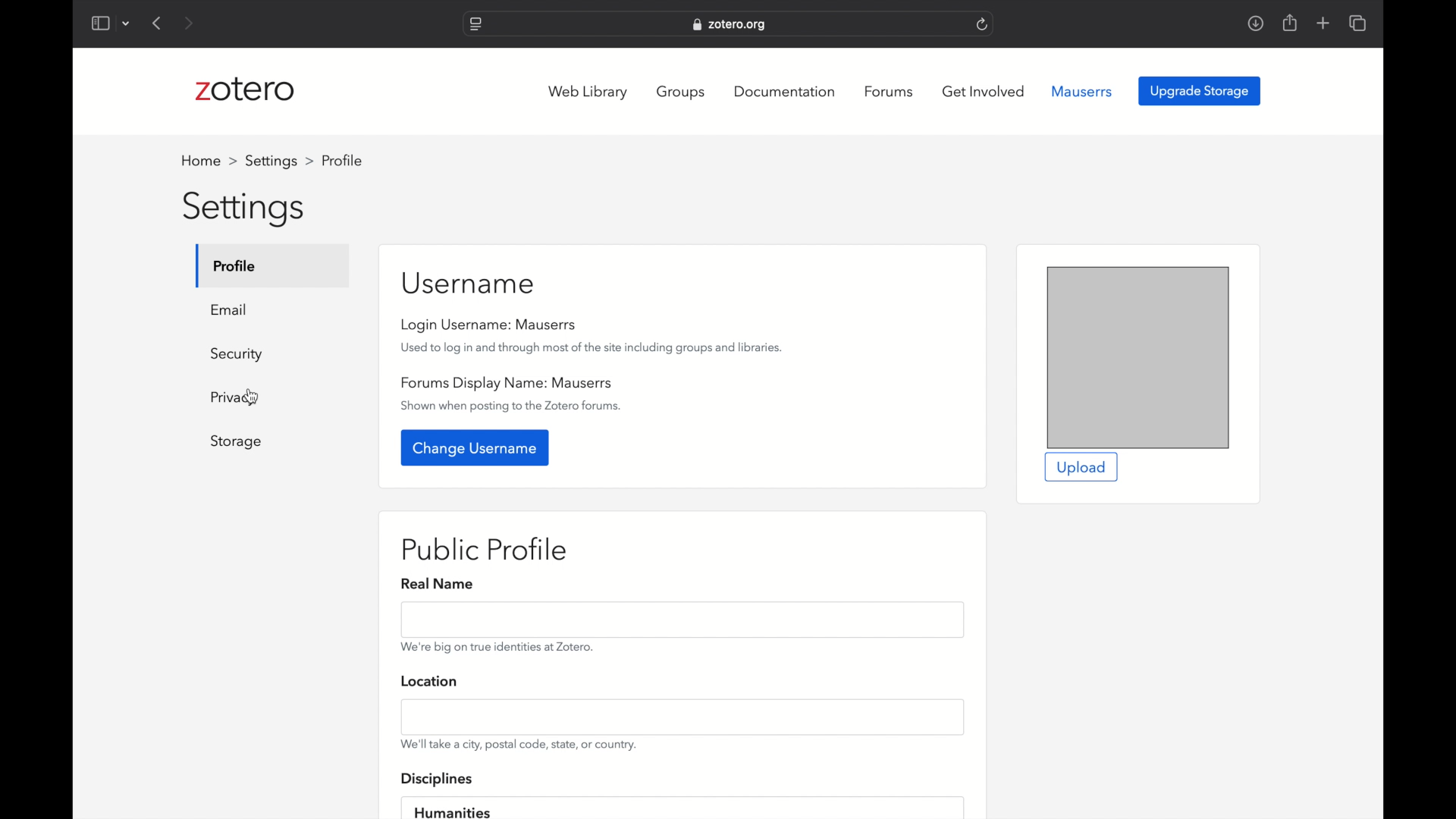  What do you see at coordinates (236, 265) in the screenshot?
I see `profile` at bounding box center [236, 265].